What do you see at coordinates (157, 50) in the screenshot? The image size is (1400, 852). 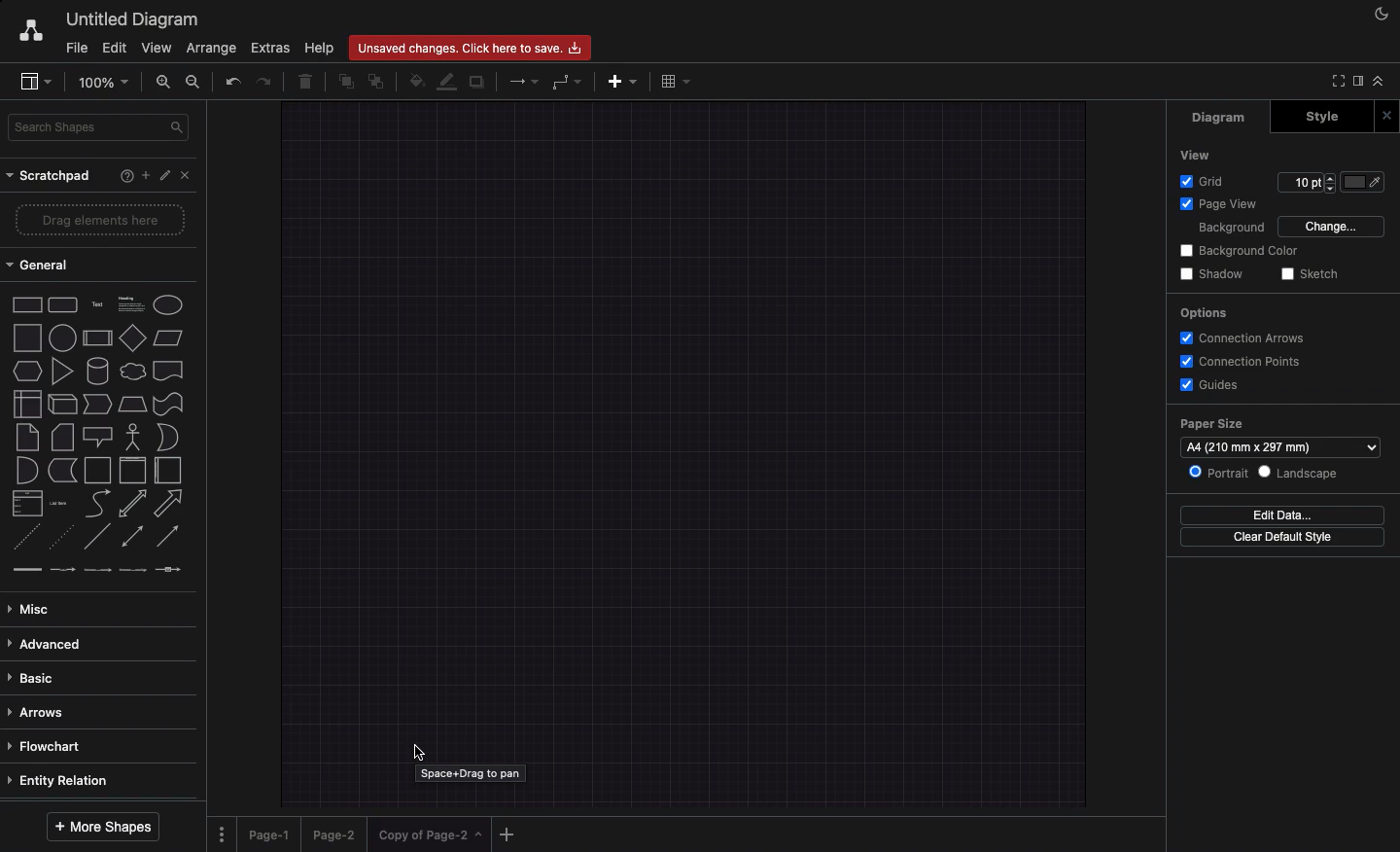 I see `View` at bounding box center [157, 50].